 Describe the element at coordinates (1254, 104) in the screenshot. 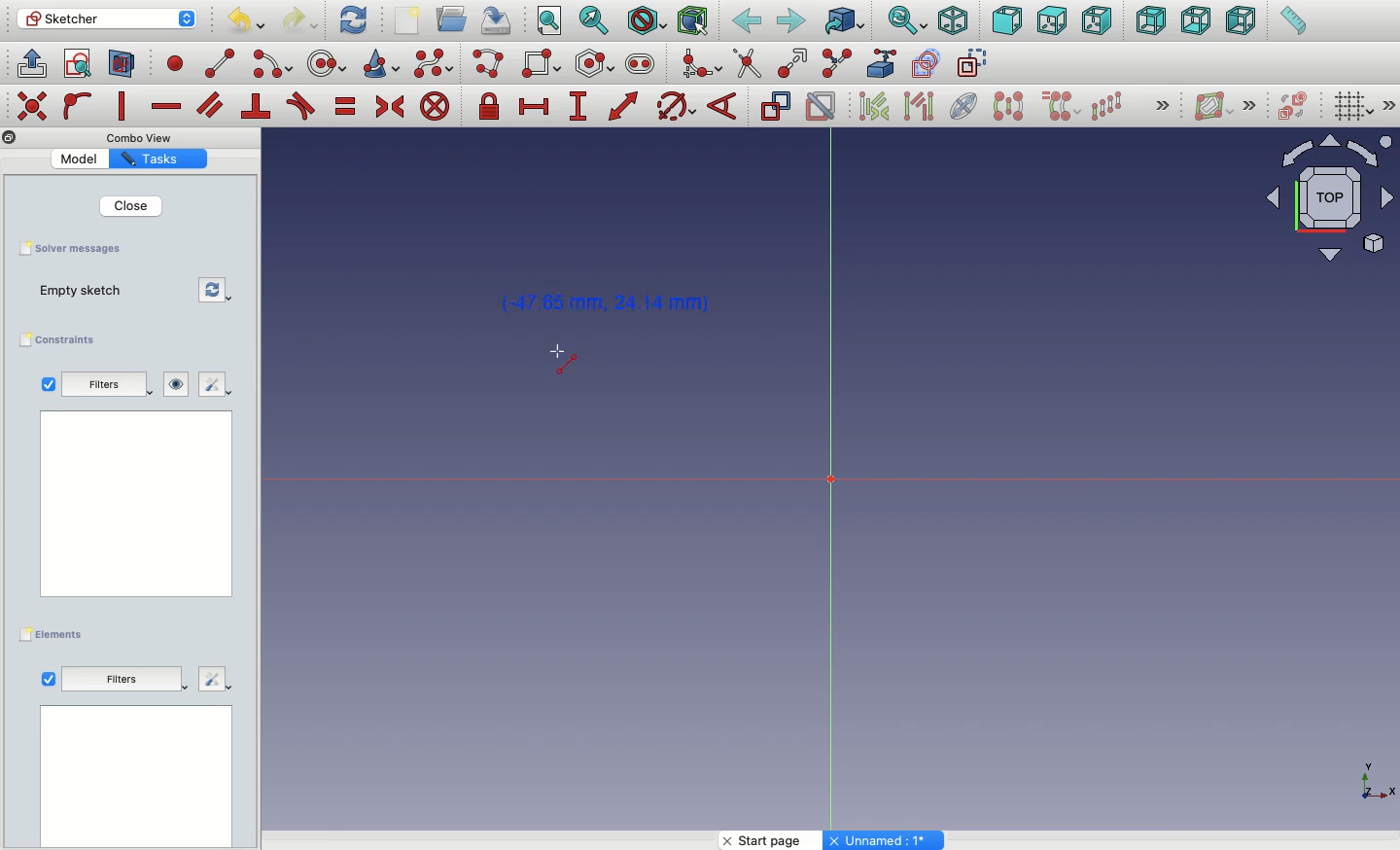

I see `` at that location.